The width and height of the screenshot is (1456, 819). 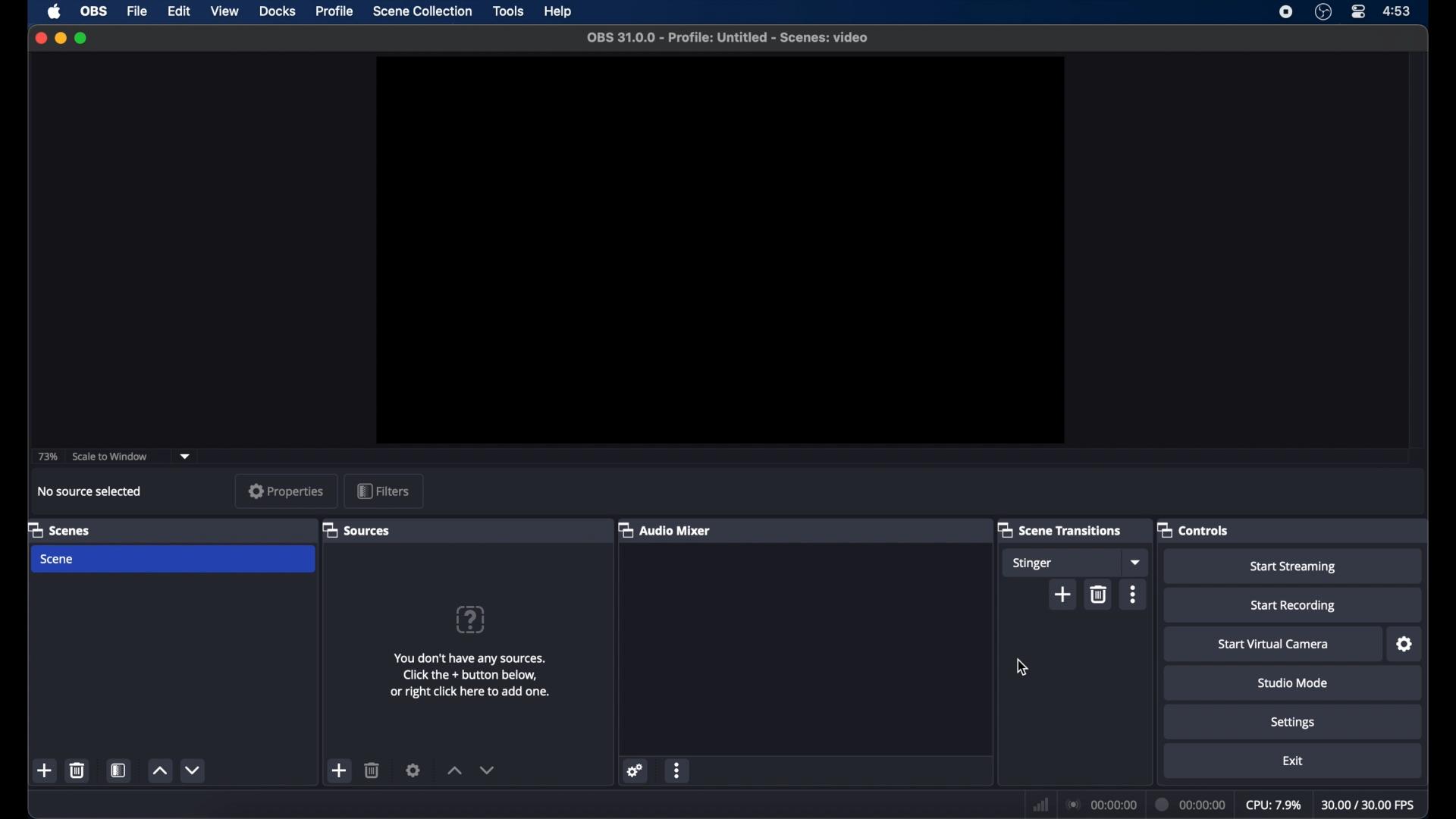 What do you see at coordinates (560, 11) in the screenshot?
I see `help` at bounding box center [560, 11].